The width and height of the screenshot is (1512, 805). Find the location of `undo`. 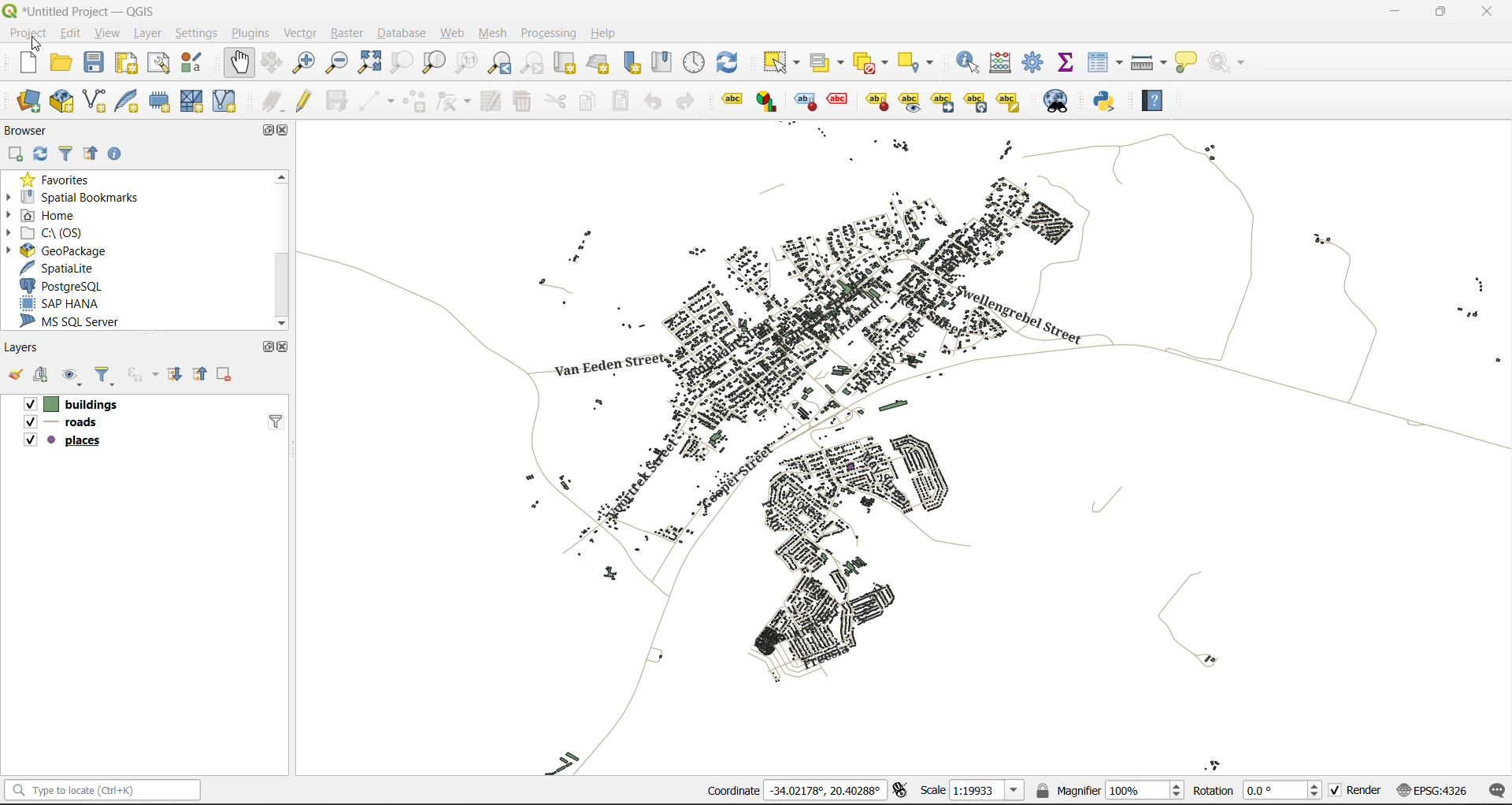

undo is located at coordinates (650, 100).